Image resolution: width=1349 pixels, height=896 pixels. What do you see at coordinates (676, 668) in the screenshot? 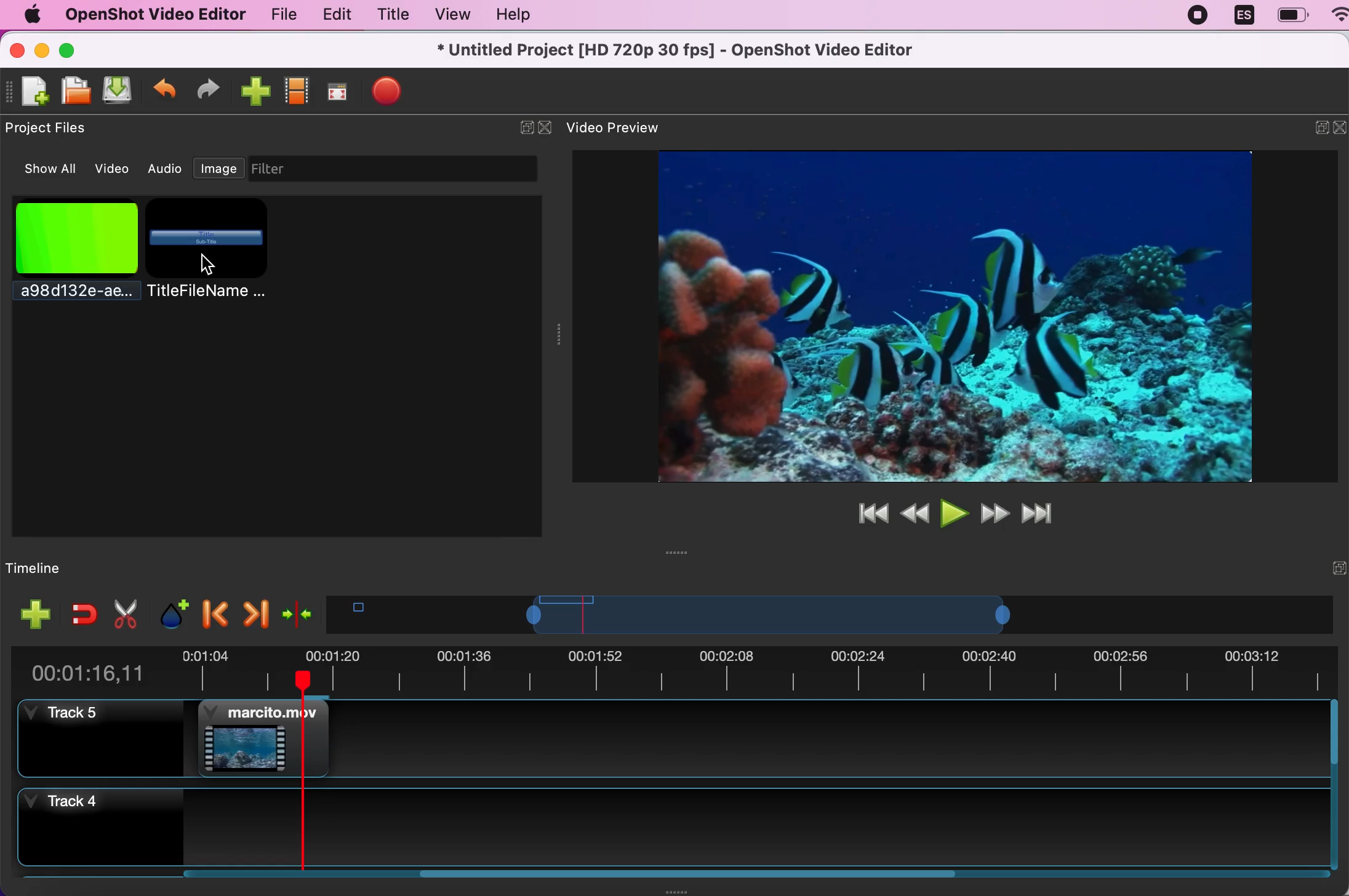
I see `time duration` at bounding box center [676, 668].